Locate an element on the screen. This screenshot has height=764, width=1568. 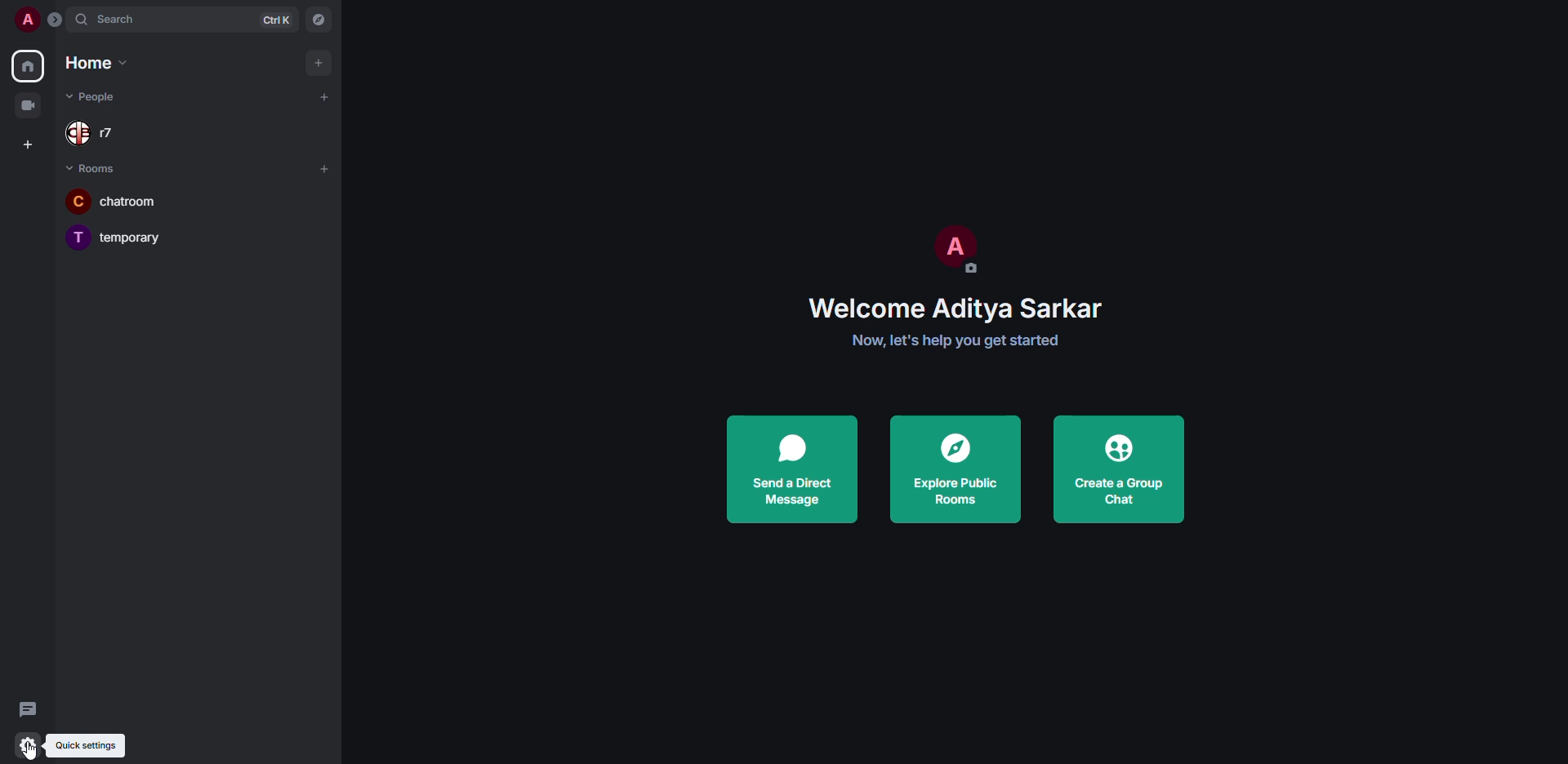
ctrl K is located at coordinates (278, 19).